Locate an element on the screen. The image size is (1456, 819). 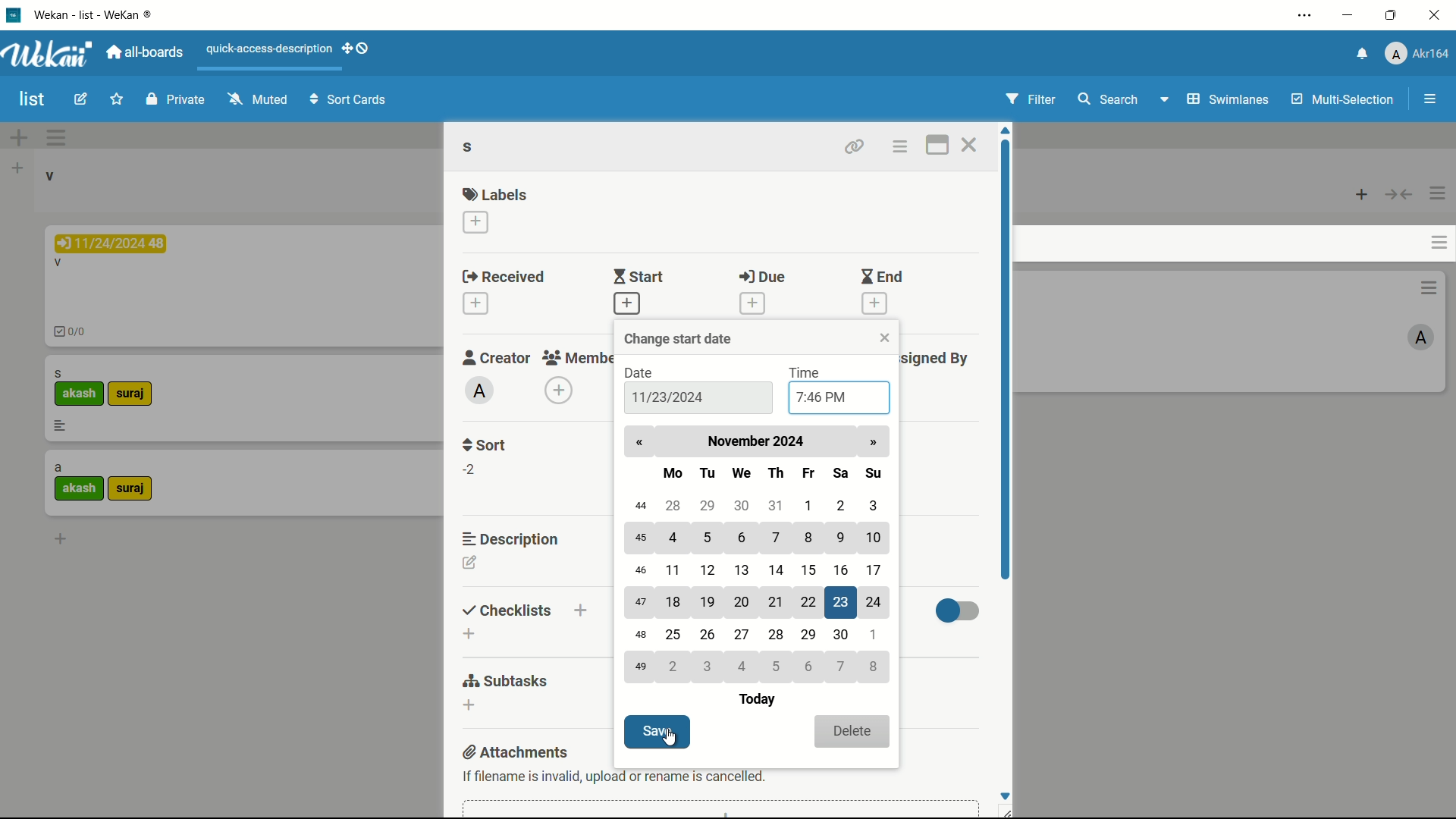
close is located at coordinates (883, 338).